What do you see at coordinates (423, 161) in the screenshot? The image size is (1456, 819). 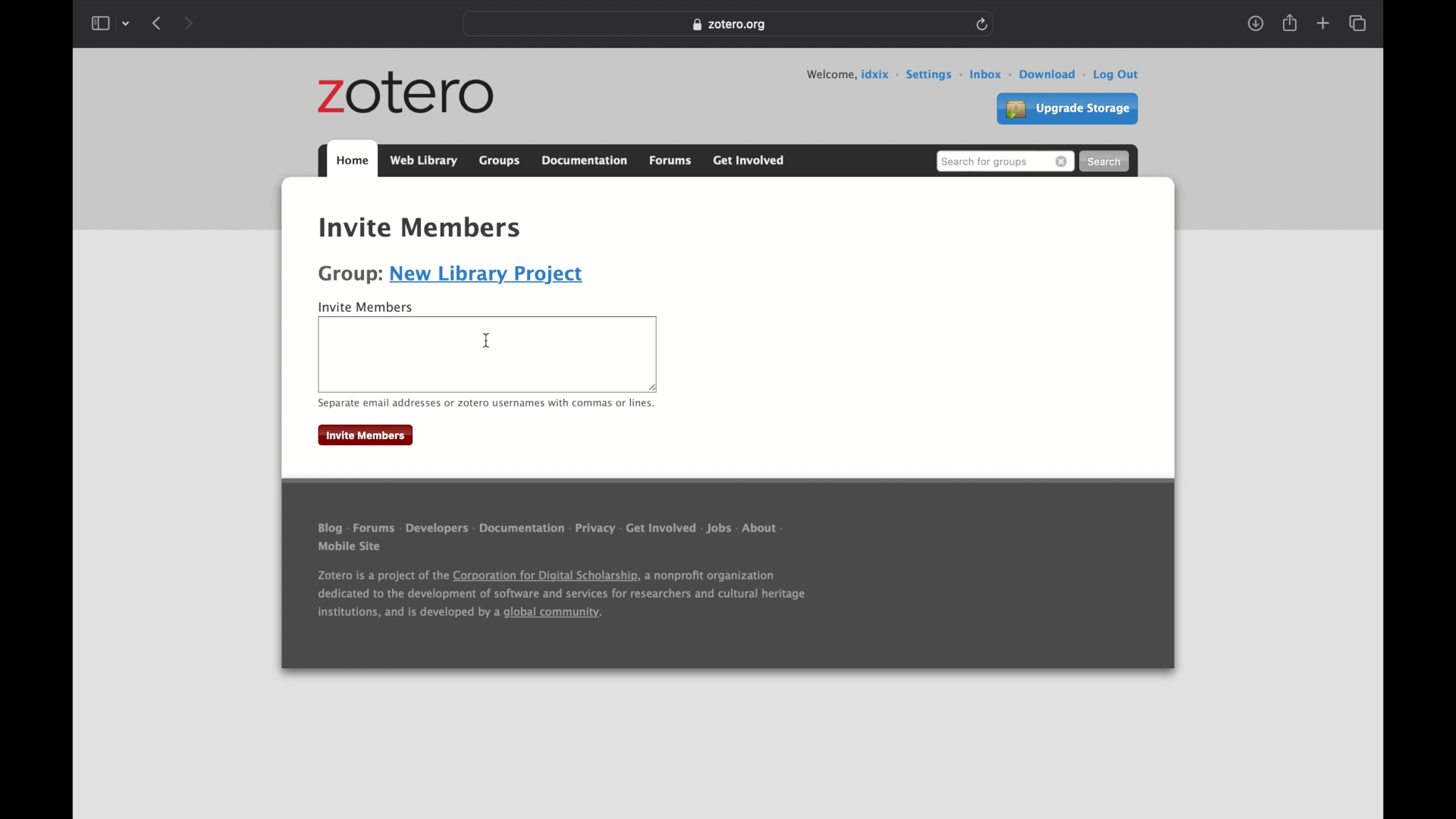 I see `web library` at bounding box center [423, 161].